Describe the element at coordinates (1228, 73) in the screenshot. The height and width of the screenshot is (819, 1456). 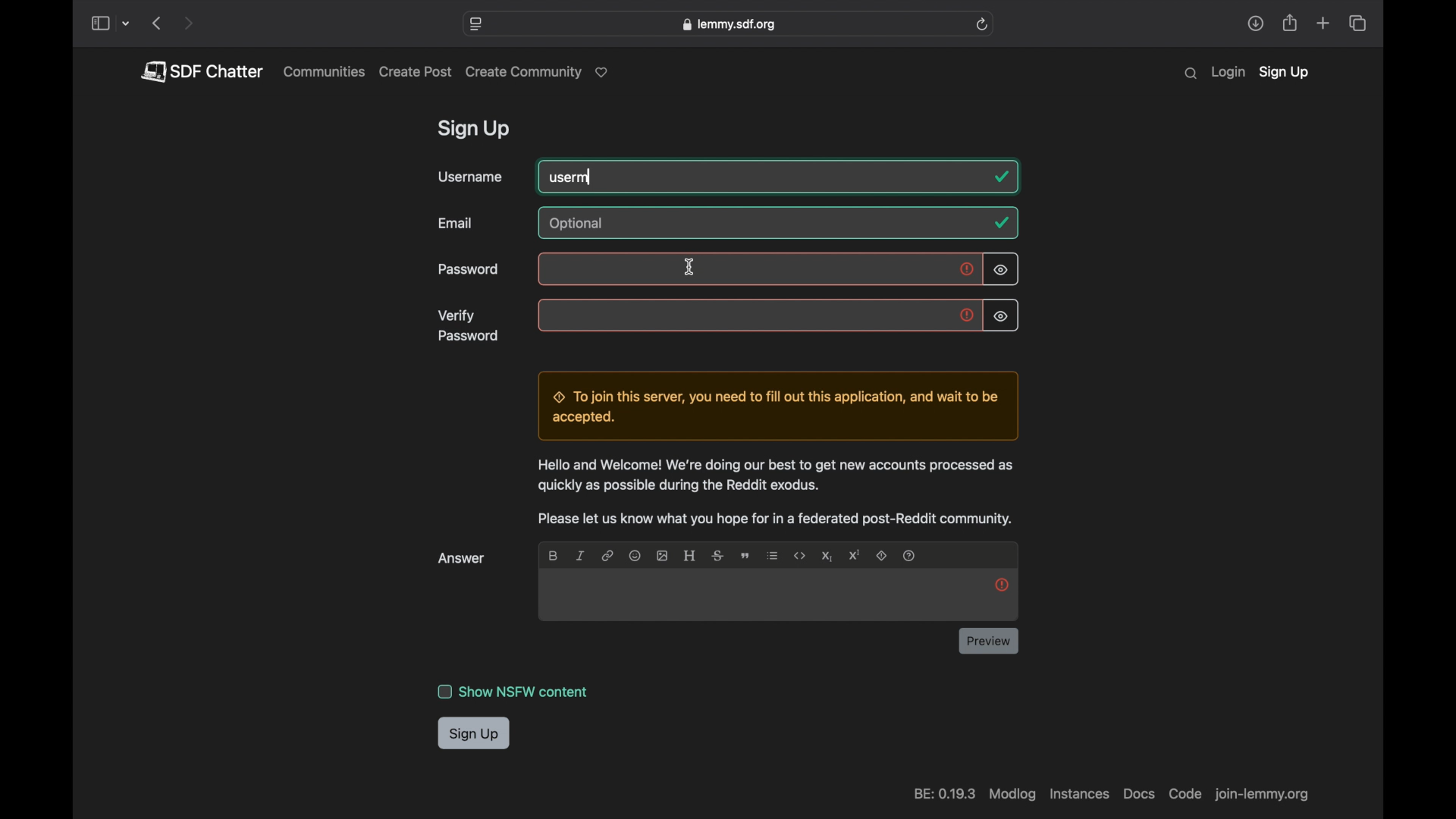
I see `login` at that location.